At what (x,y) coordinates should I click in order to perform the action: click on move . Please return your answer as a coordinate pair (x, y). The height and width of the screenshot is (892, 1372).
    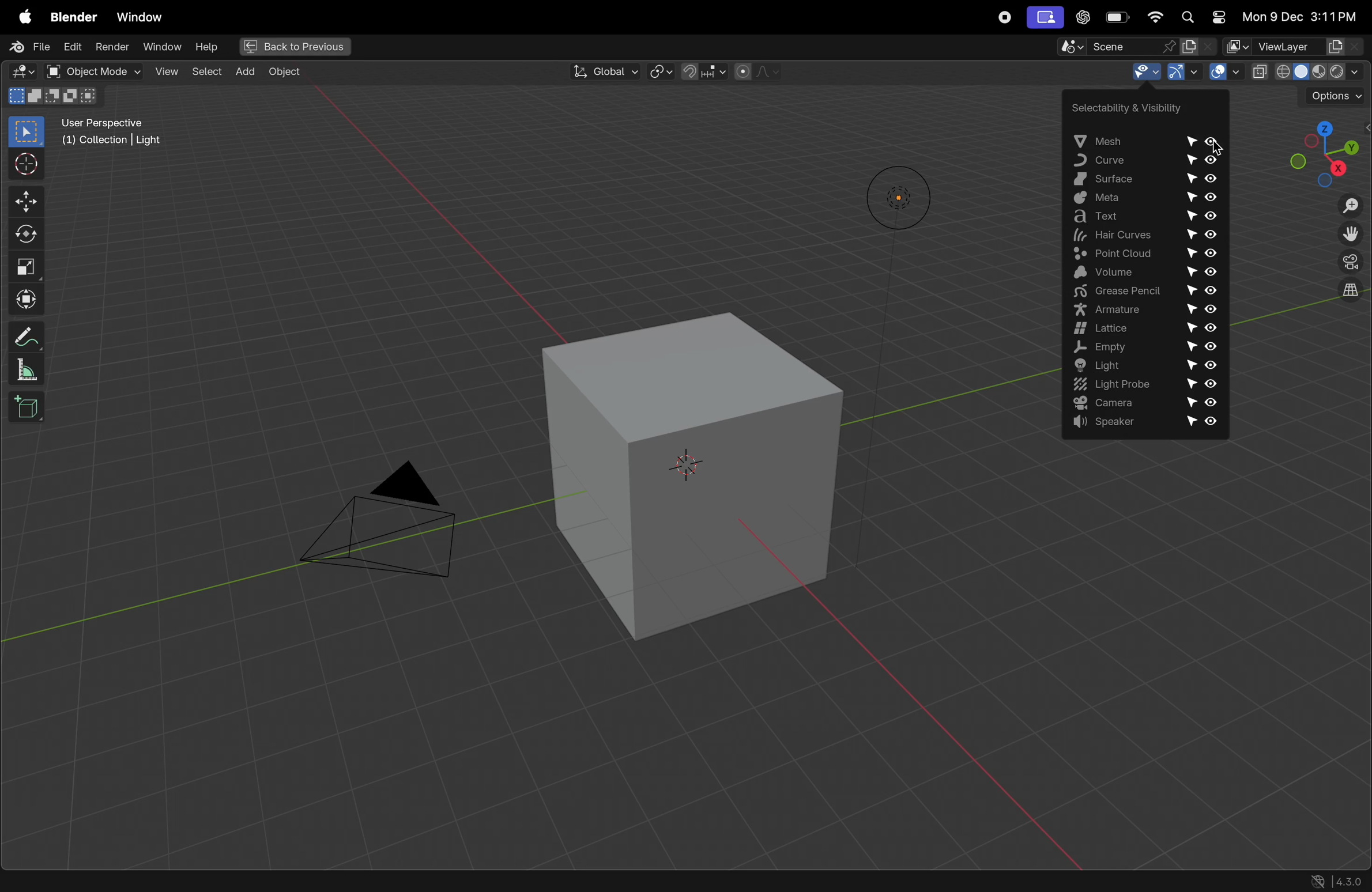
    Looking at the image, I should click on (24, 202).